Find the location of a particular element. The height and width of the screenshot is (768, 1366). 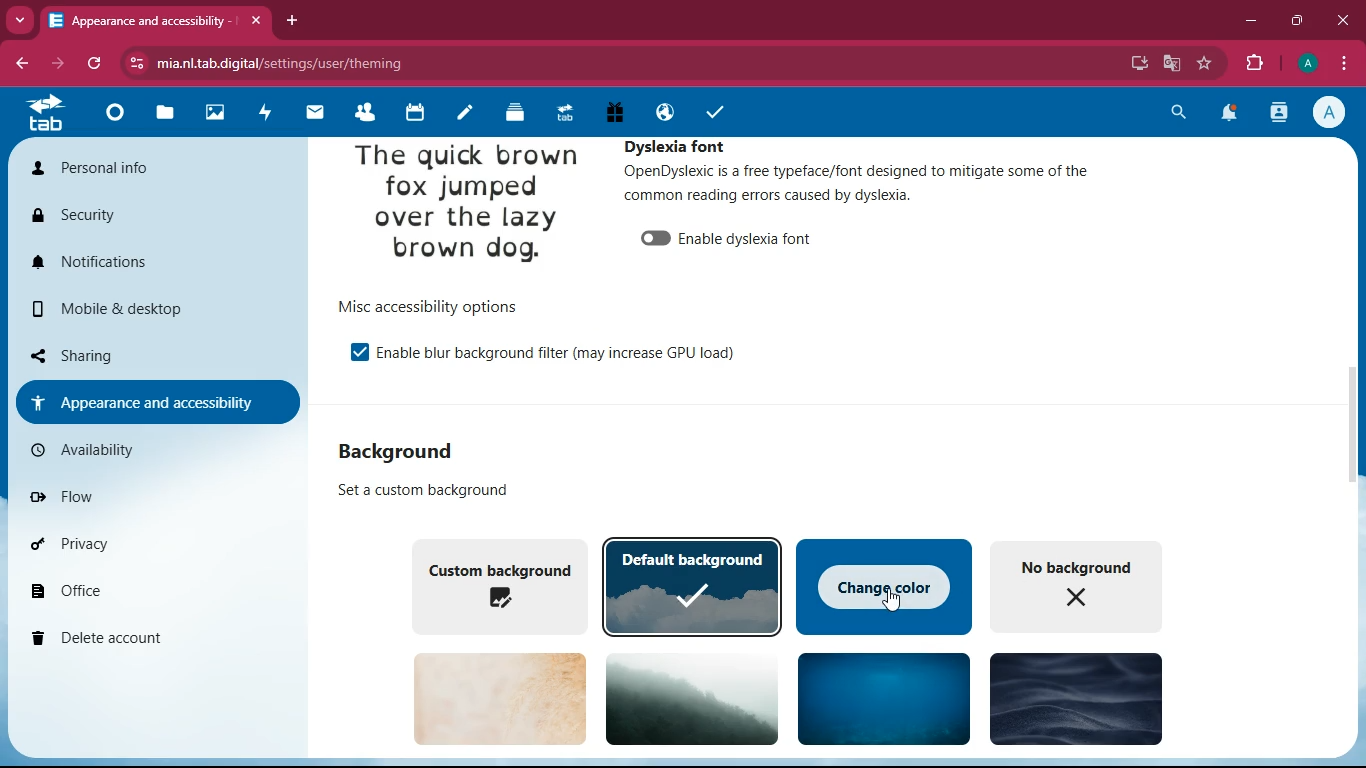

sharing is located at coordinates (140, 353).